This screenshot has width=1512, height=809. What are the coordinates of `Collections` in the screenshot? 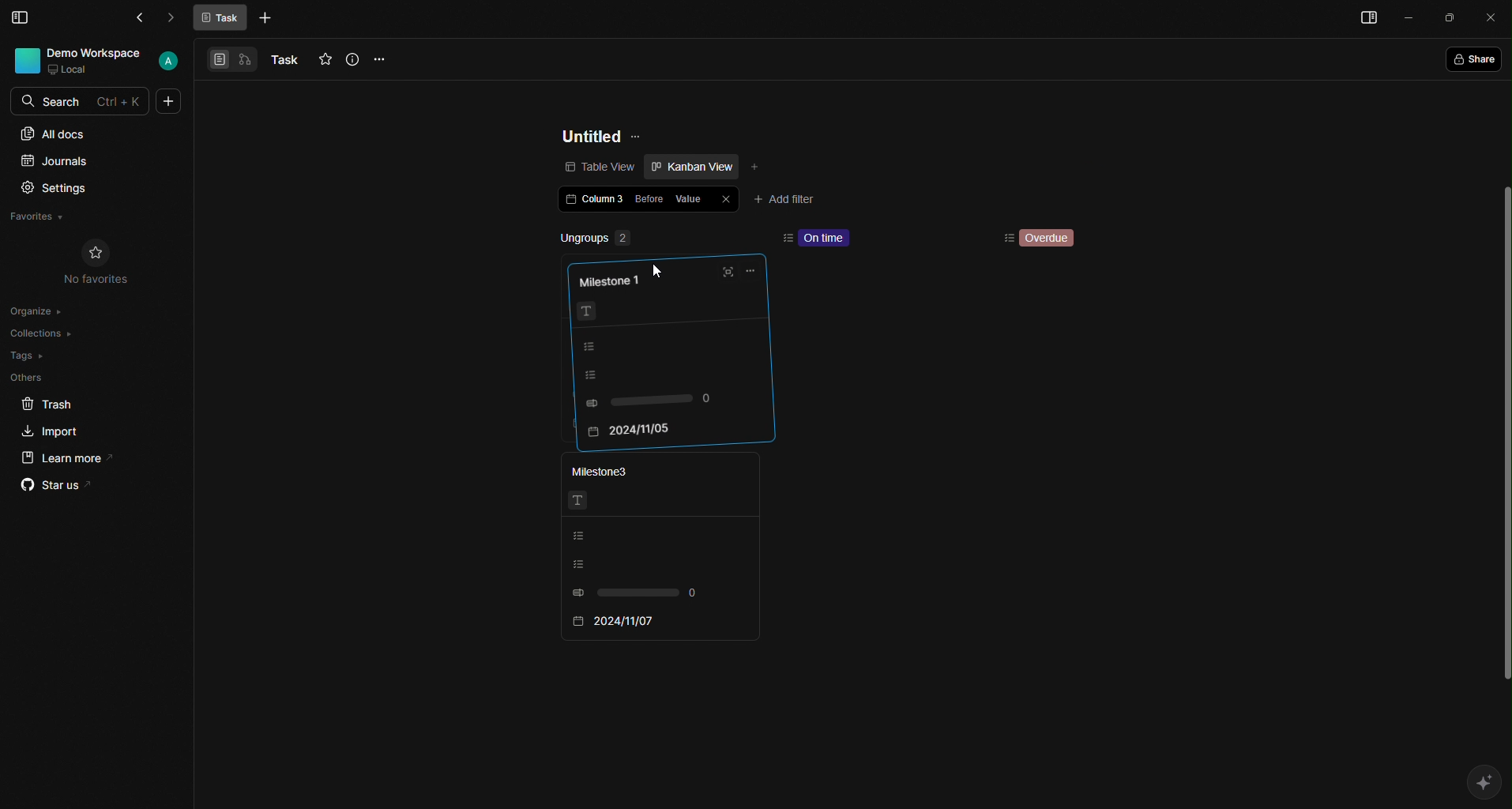 It's located at (44, 335).